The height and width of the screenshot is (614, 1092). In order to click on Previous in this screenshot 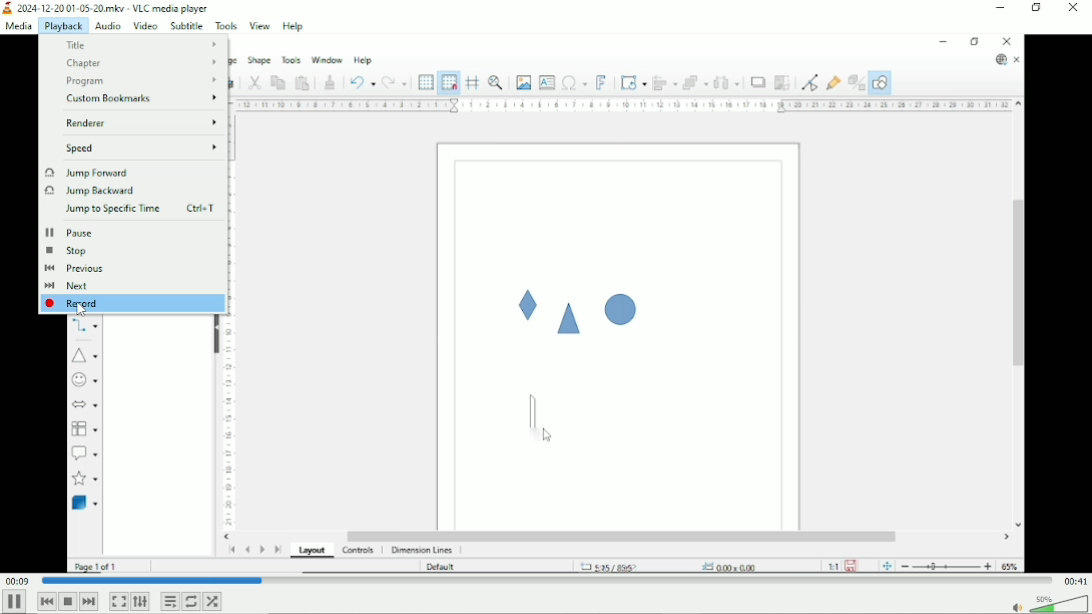, I will do `click(128, 268)`.